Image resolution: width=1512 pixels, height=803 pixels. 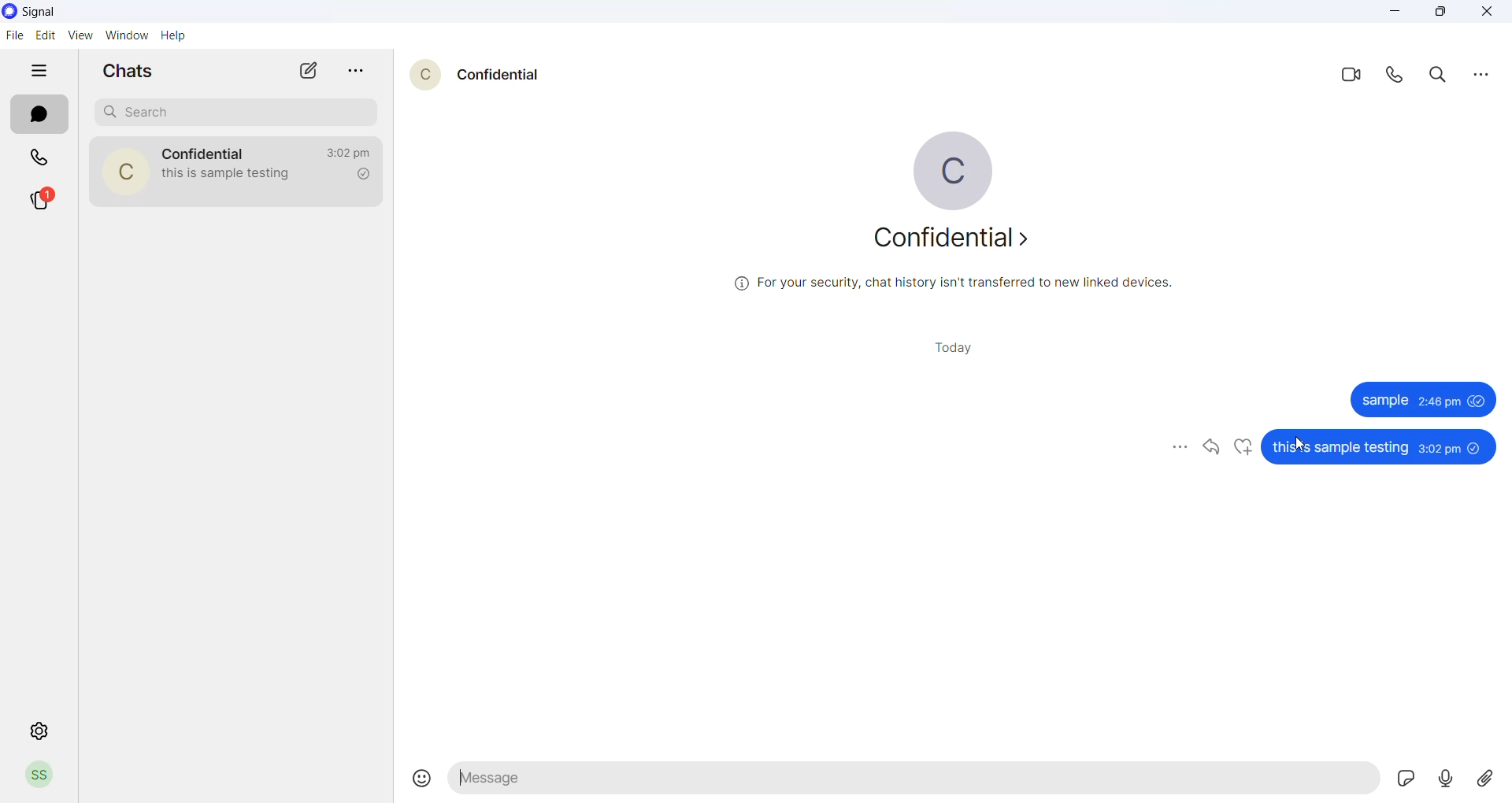 What do you see at coordinates (37, 115) in the screenshot?
I see `chats` at bounding box center [37, 115].